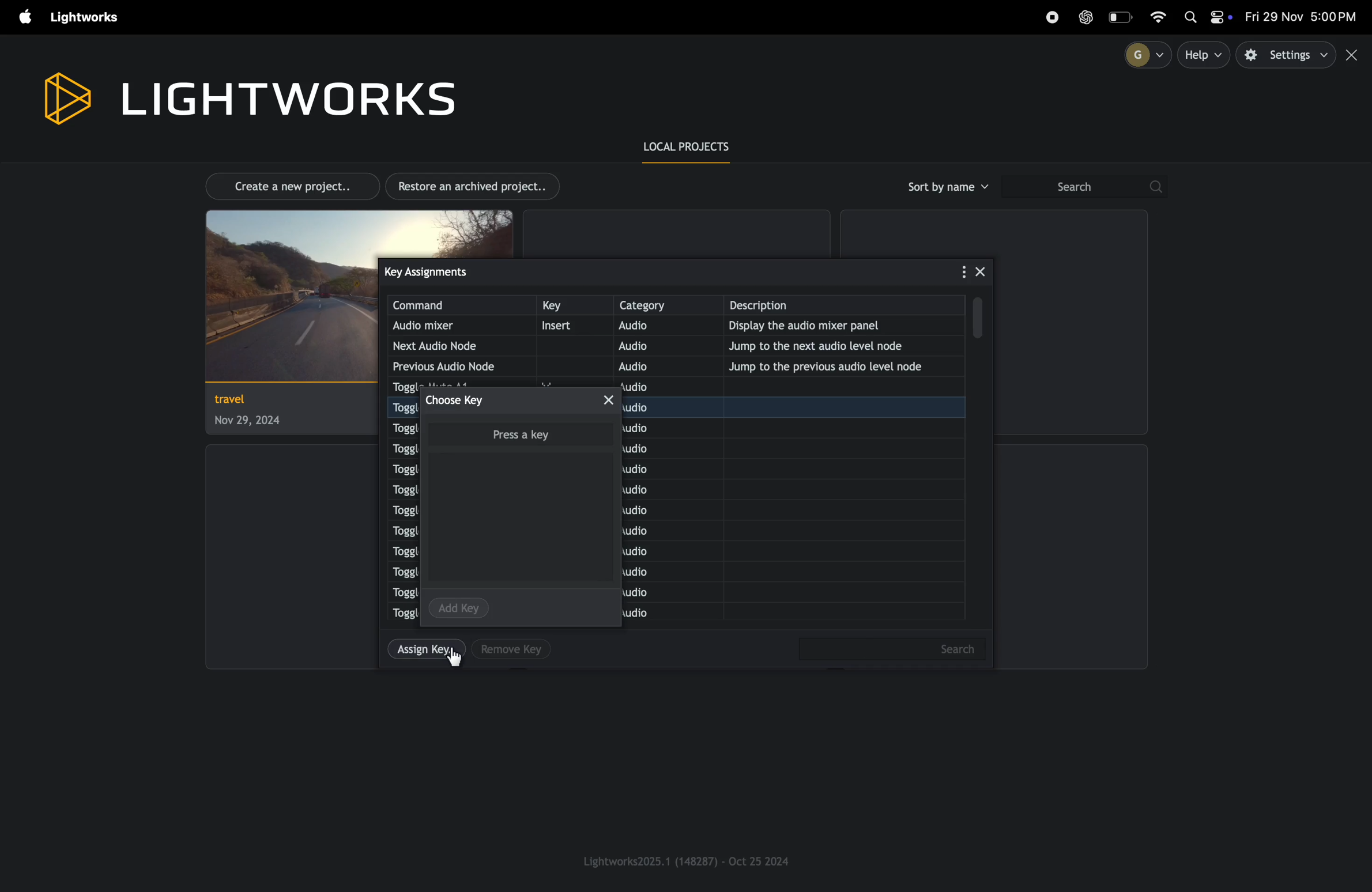  What do you see at coordinates (1287, 55) in the screenshot?
I see `settings` at bounding box center [1287, 55].